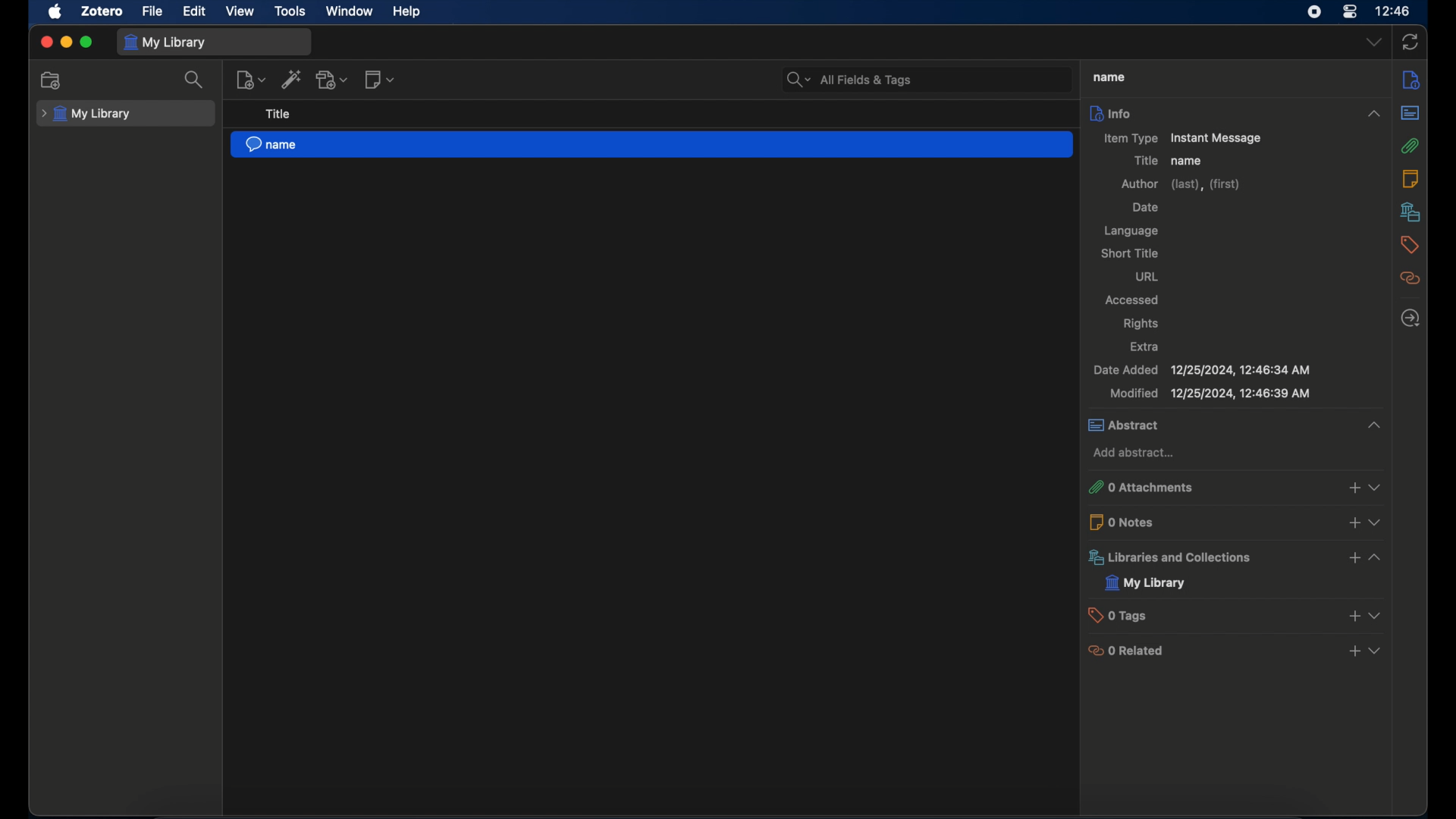  What do you see at coordinates (1375, 42) in the screenshot?
I see `drop-down` at bounding box center [1375, 42].